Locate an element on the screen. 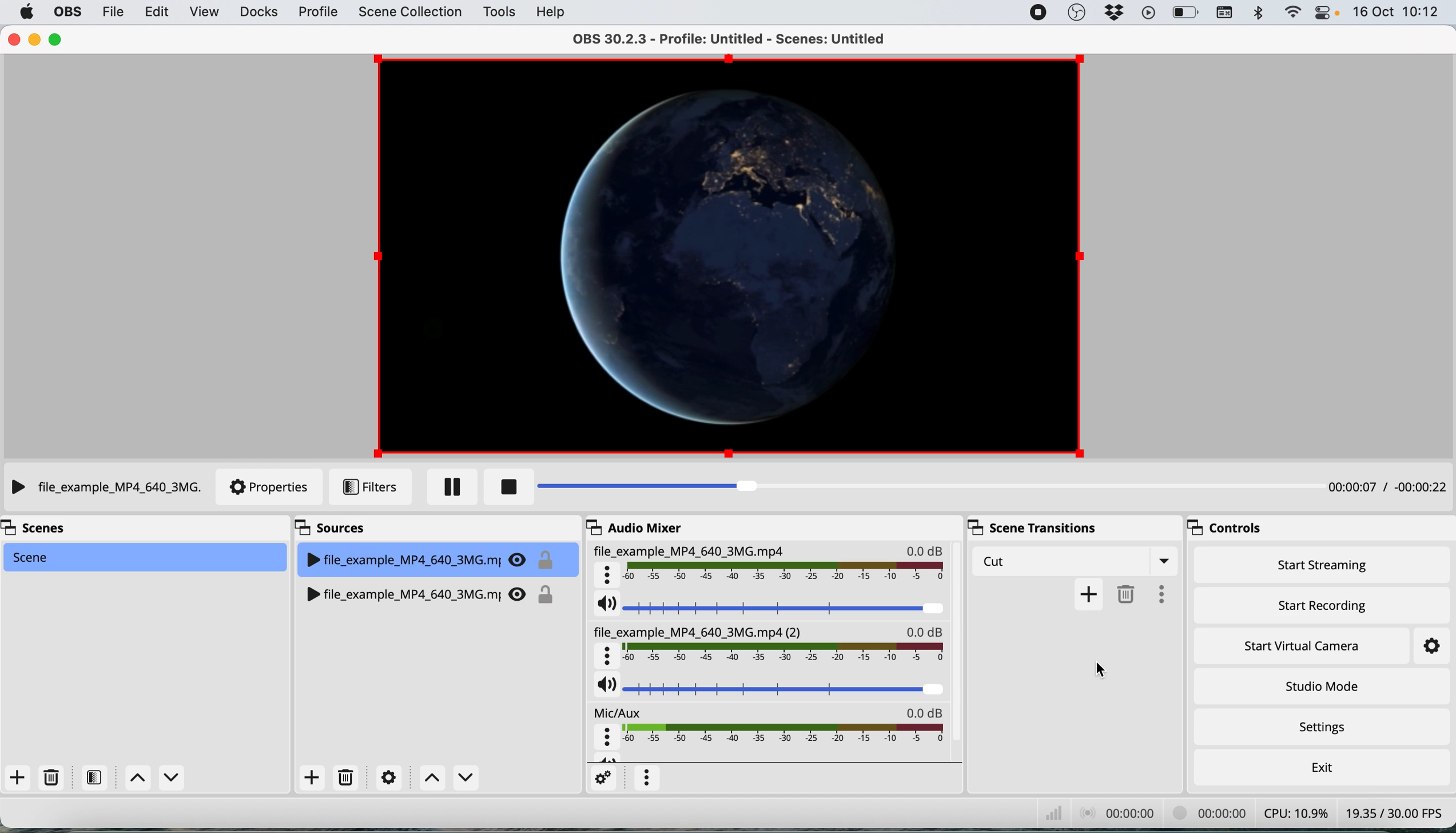 Image resolution: width=1456 pixels, height=833 pixels. start streaming is located at coordinates (1318, 567).